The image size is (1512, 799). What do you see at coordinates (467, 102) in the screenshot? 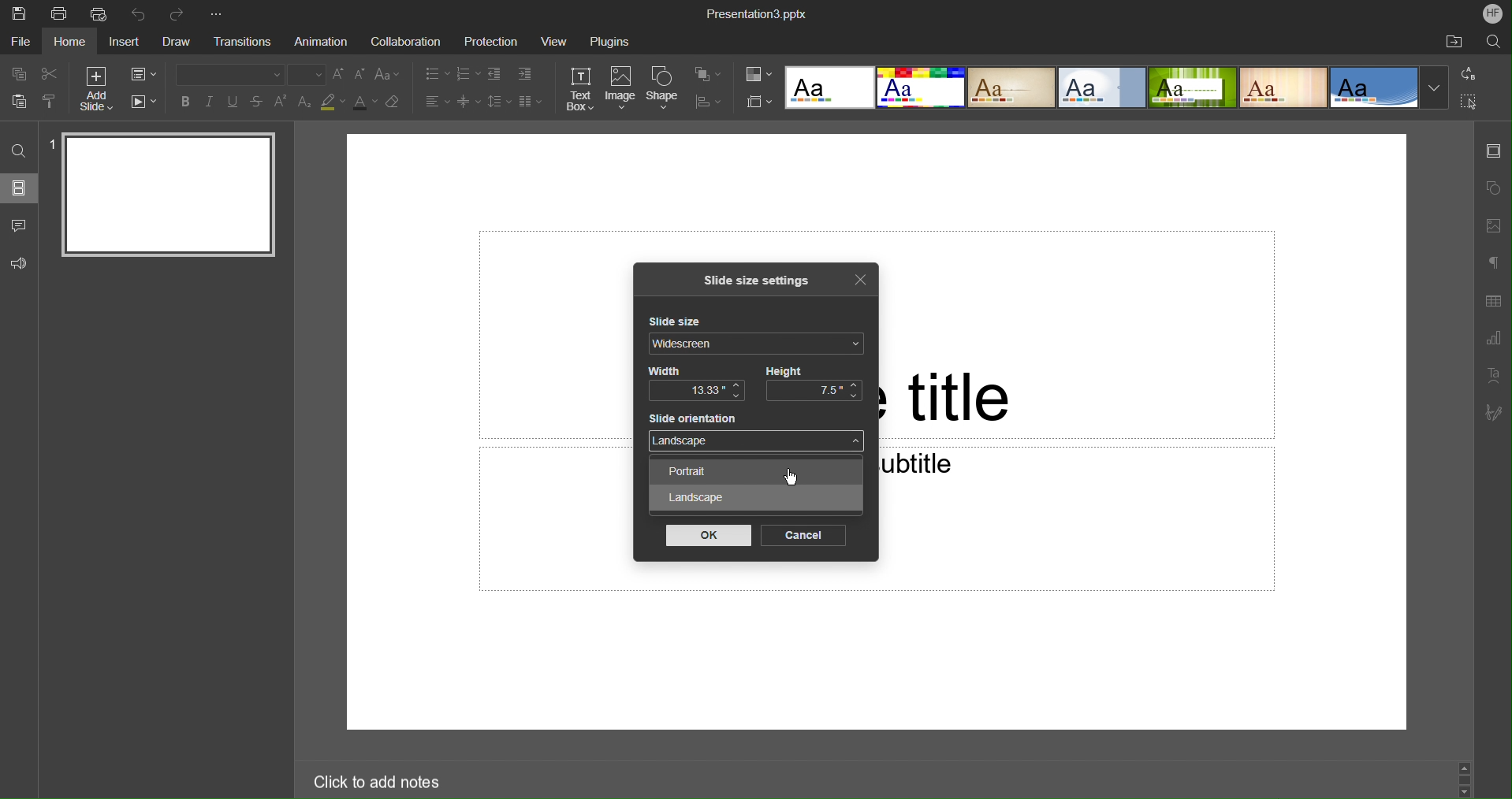
I see `Decrease Spacing` at bounding box center [467, 102].